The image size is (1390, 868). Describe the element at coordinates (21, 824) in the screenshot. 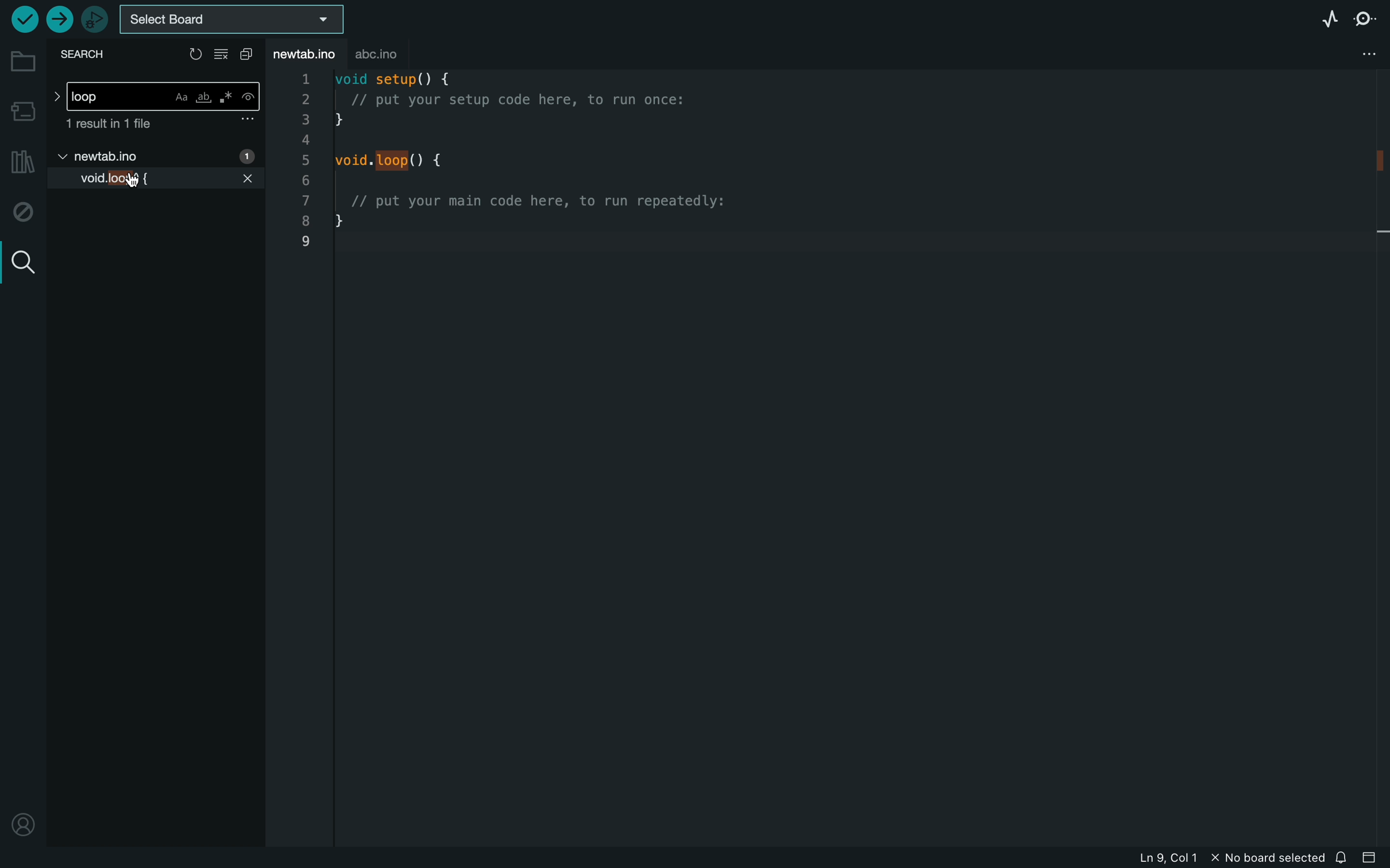

I see `profile` at that location.